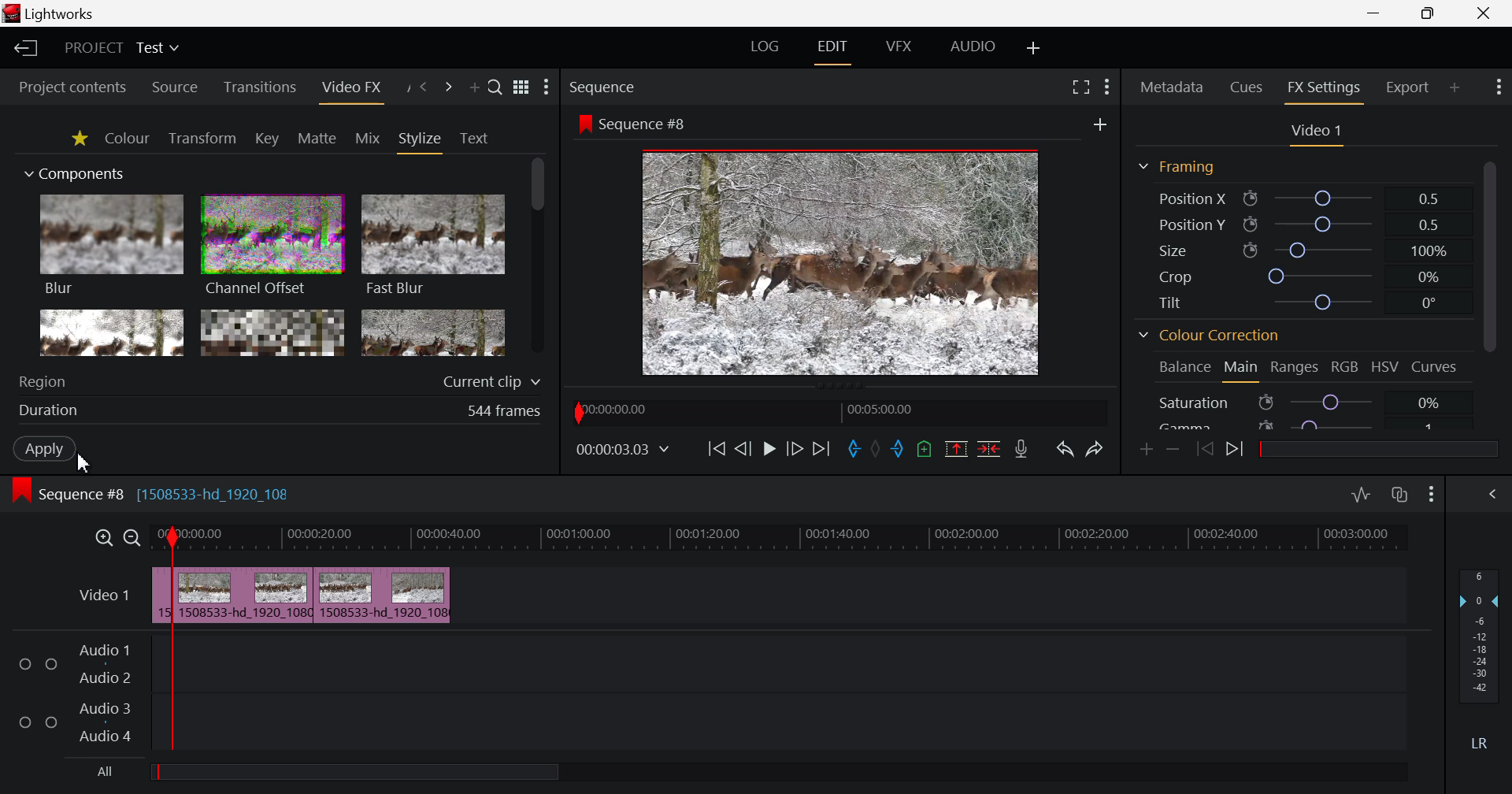 Image resolution: width=1512 pixels, height=794 pixels. I want to click on Transitions, so click(259, 88).